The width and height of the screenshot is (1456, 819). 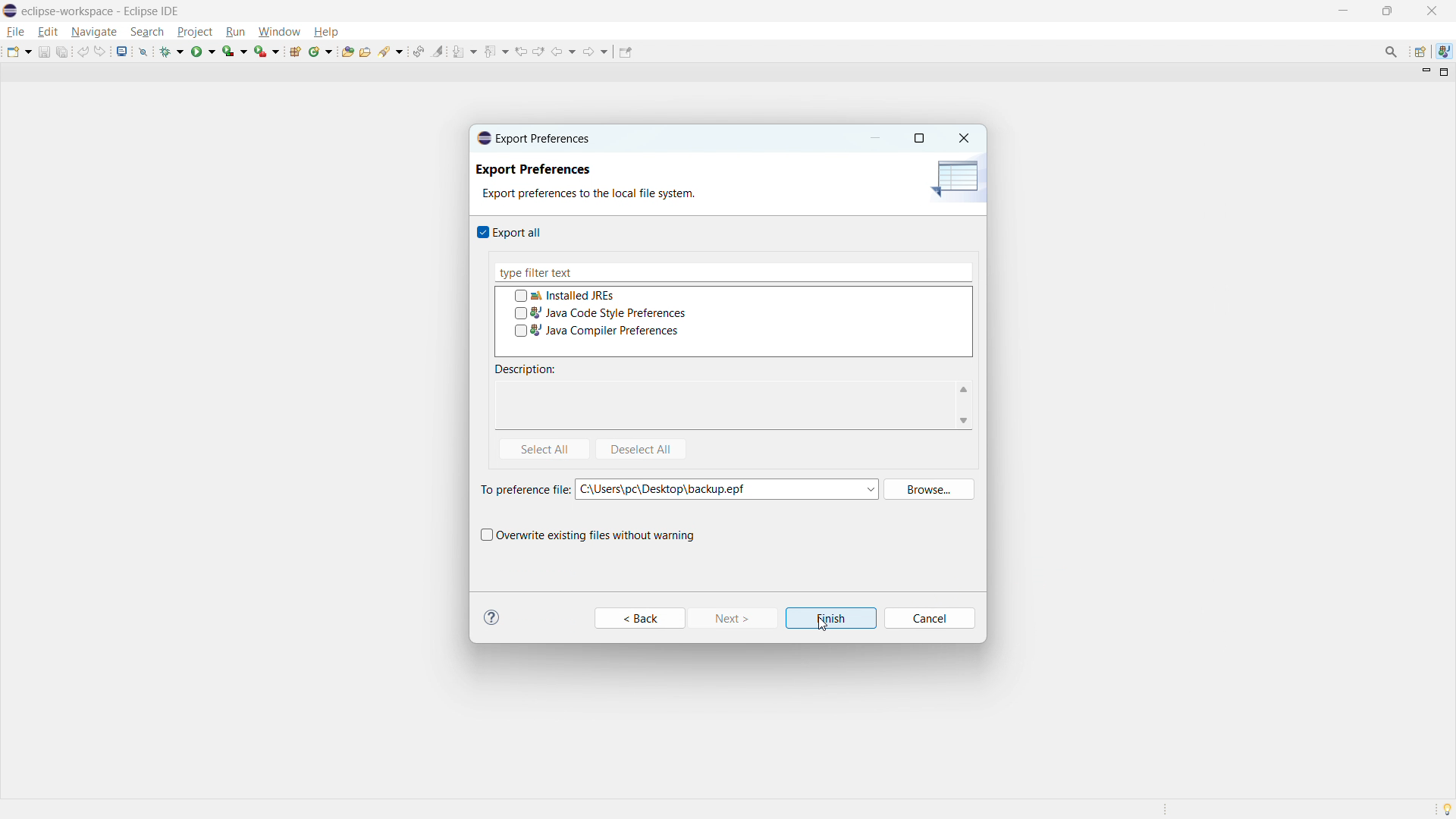 What do you see at coordinates (347, 51) in the screenshot?
I see `open type` at bounding box center [347, 51].